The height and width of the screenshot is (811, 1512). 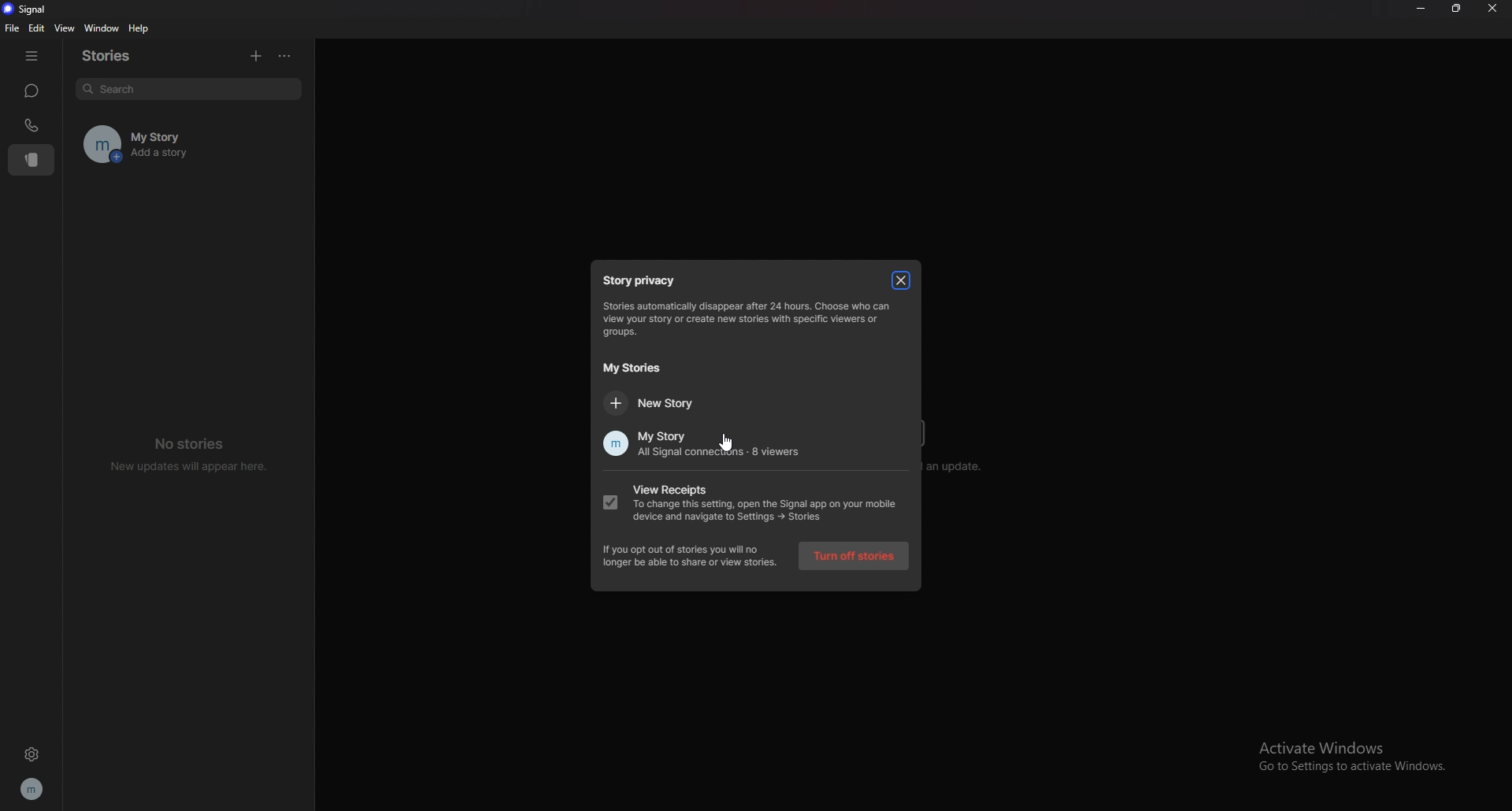 What do you see at coordinates (36, 28) in the screenshot?
I see `edit` at bounding box center [36, 28].